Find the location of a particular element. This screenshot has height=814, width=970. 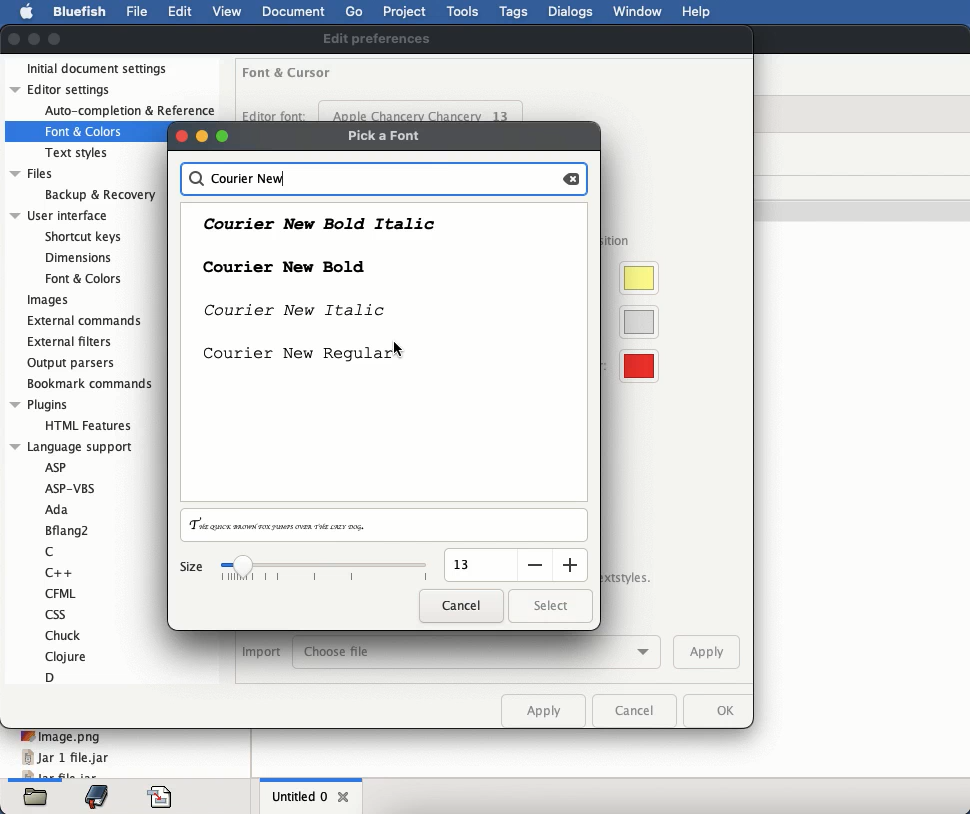

backspace is located at coordinates (573, 183).